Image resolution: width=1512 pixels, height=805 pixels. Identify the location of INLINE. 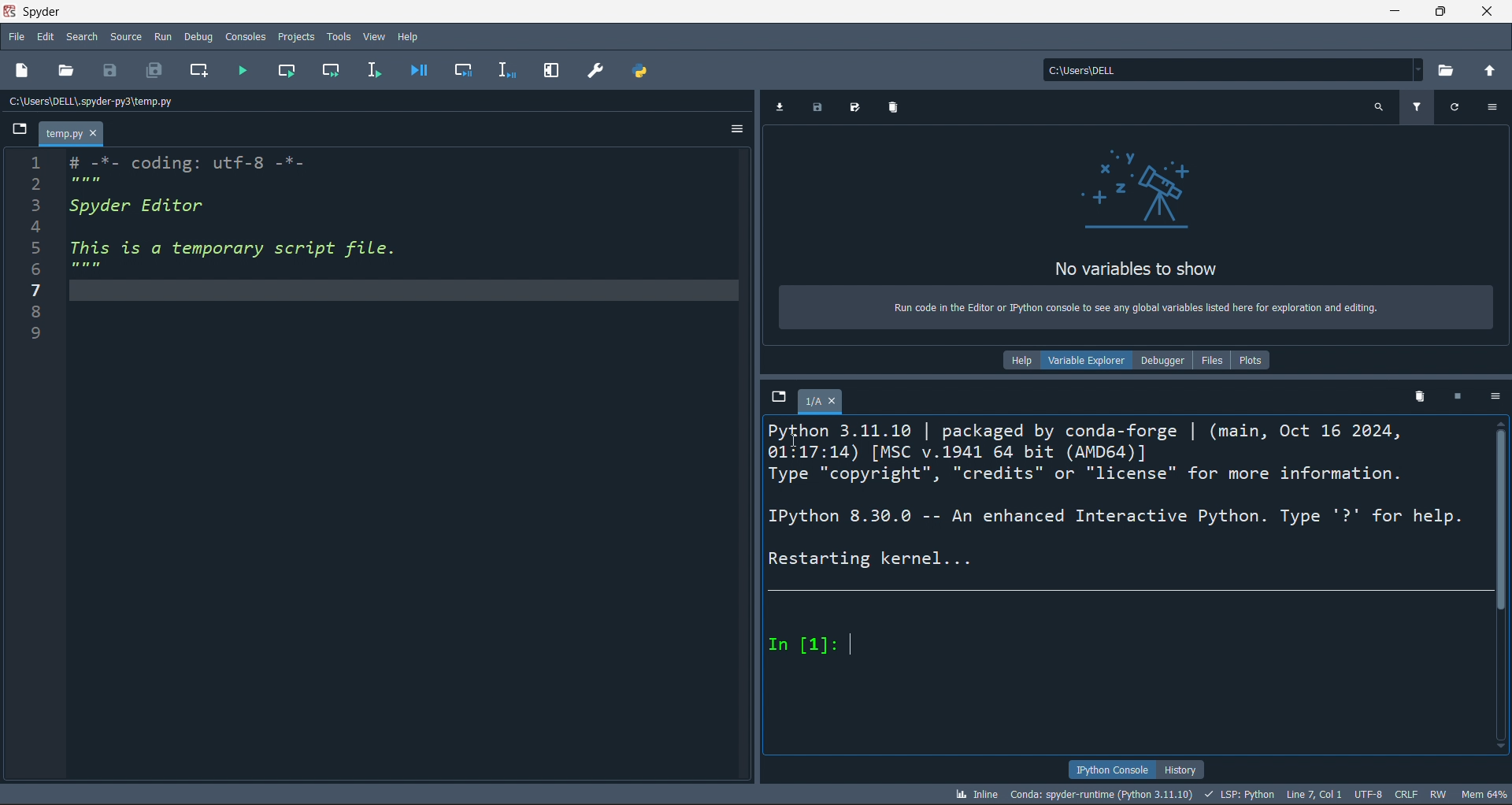
(976, 793).